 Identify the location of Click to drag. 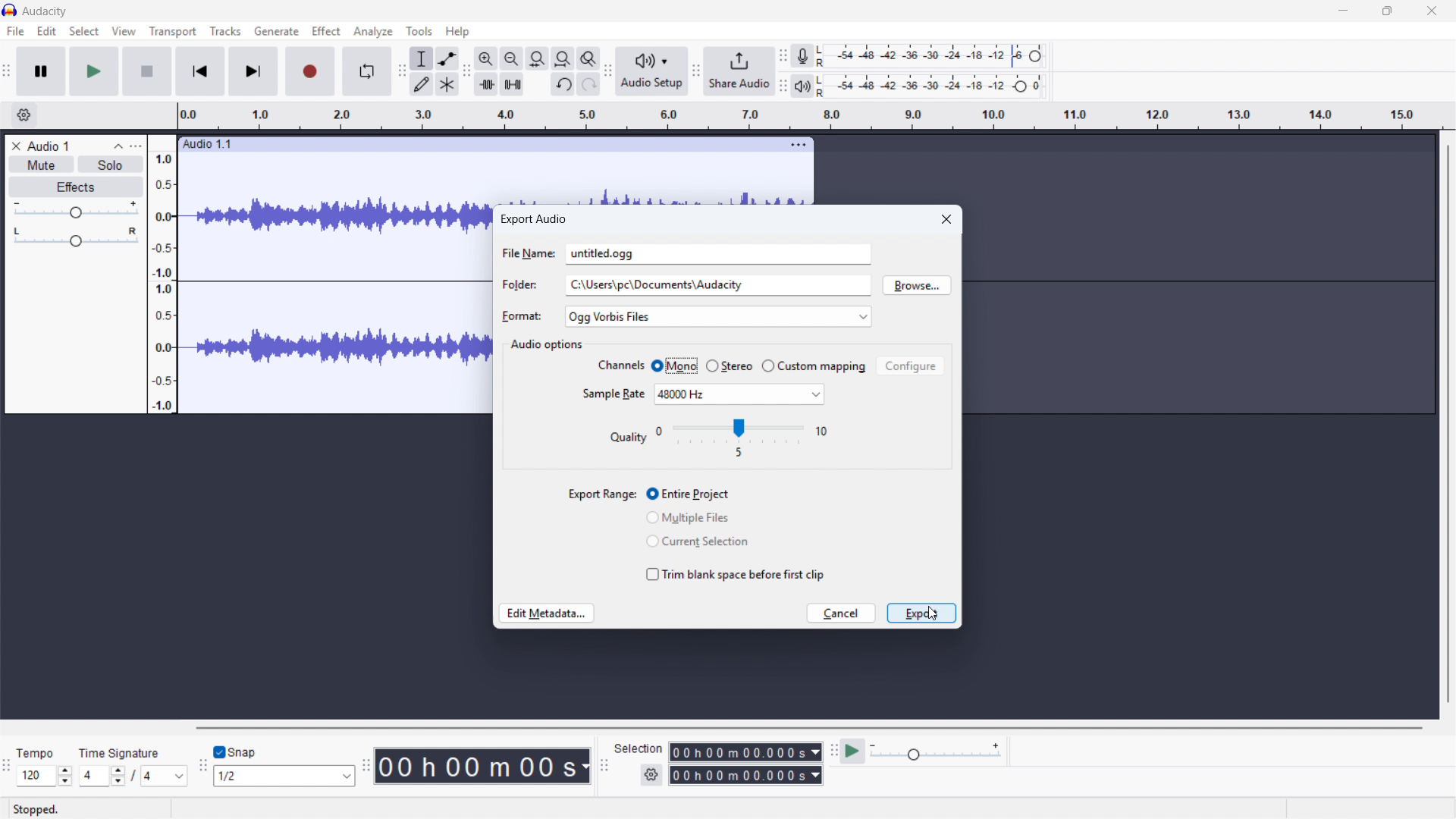
(470, 145).